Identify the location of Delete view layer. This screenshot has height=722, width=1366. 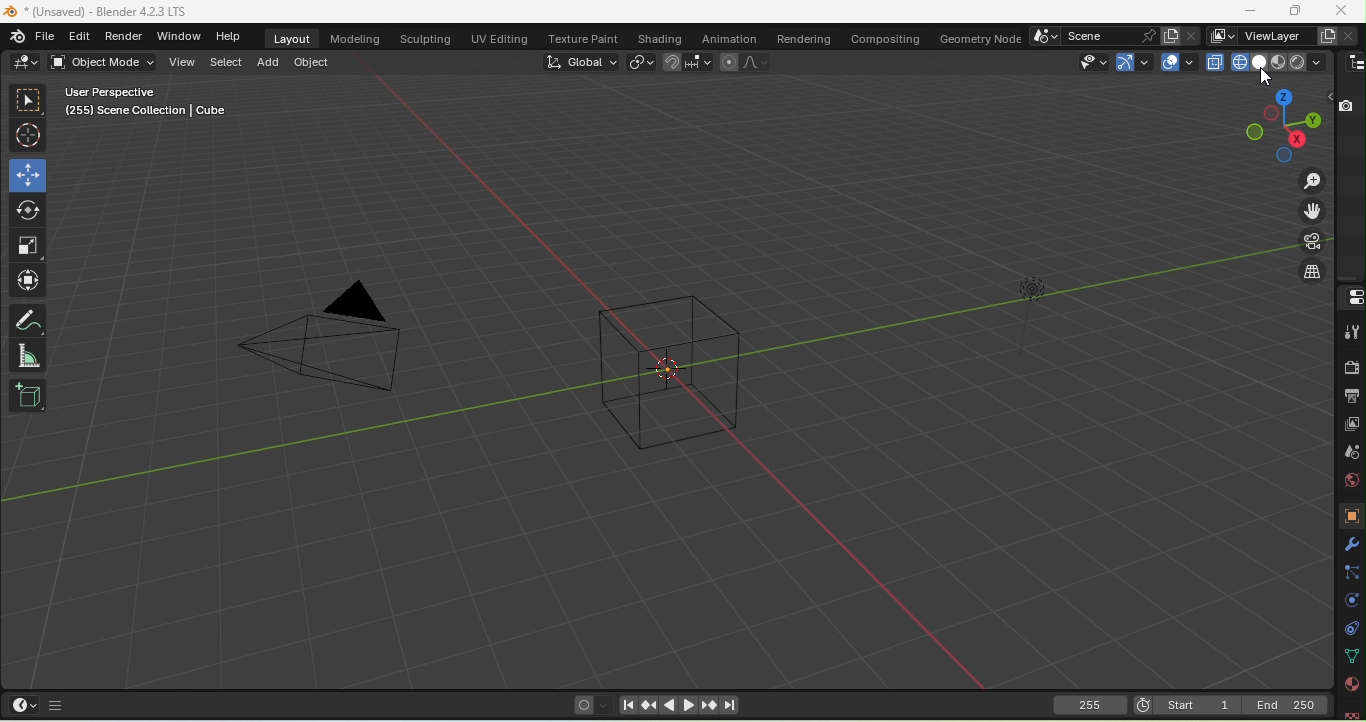
(1351, 34).